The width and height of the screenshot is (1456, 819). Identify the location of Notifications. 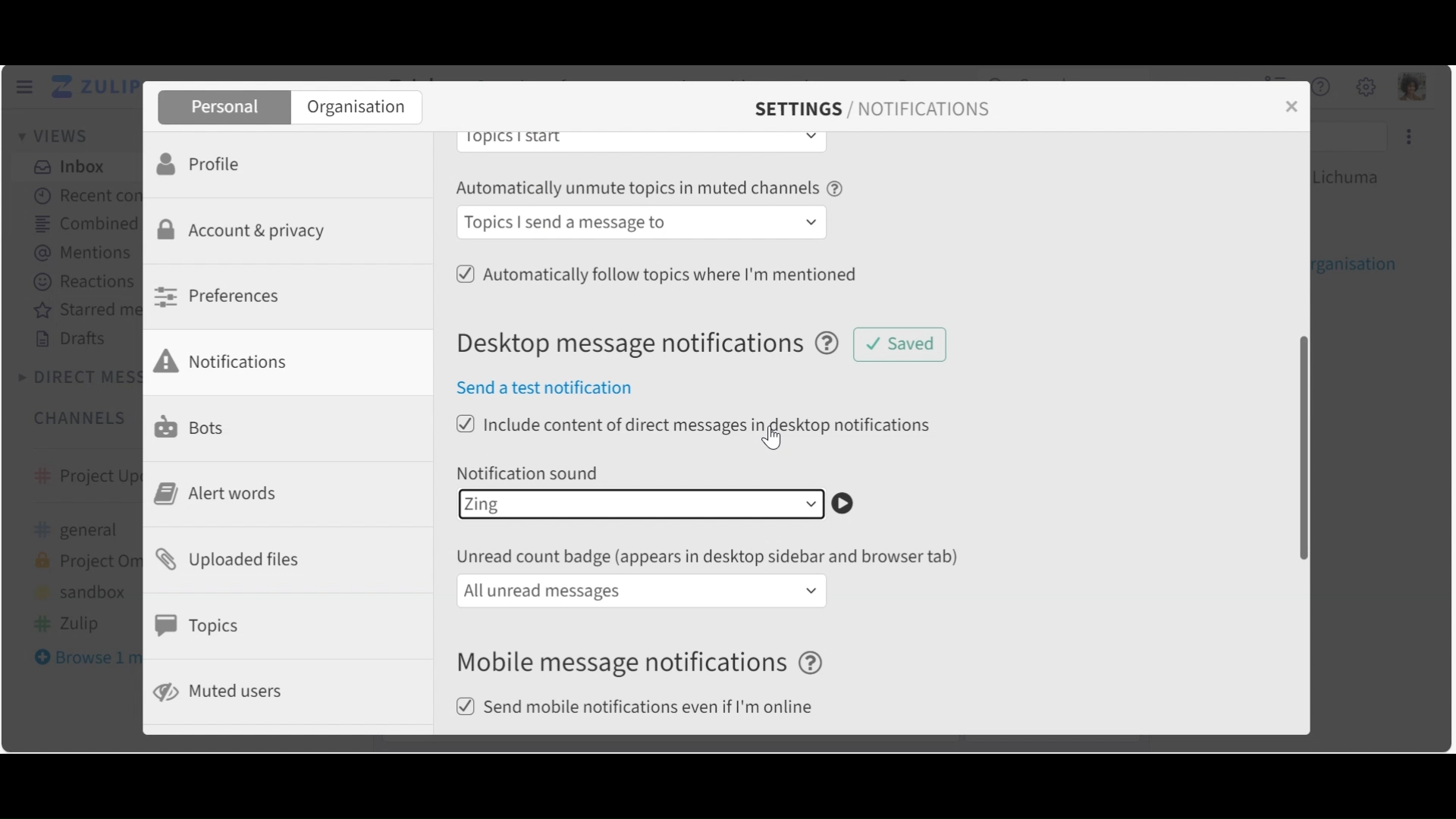
(231, 361).